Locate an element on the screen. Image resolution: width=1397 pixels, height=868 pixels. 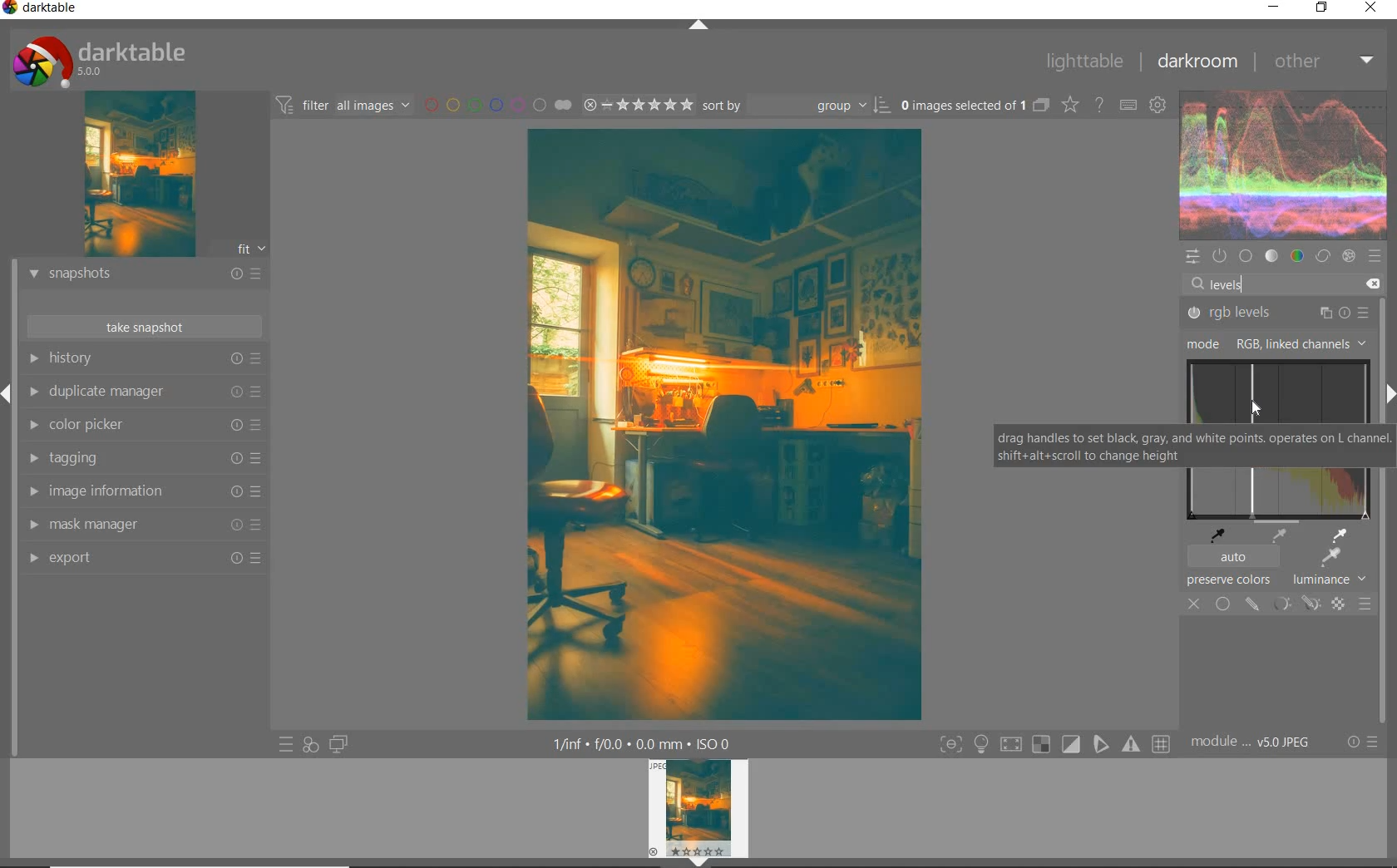
levels is located at coordinates (1226, 284).